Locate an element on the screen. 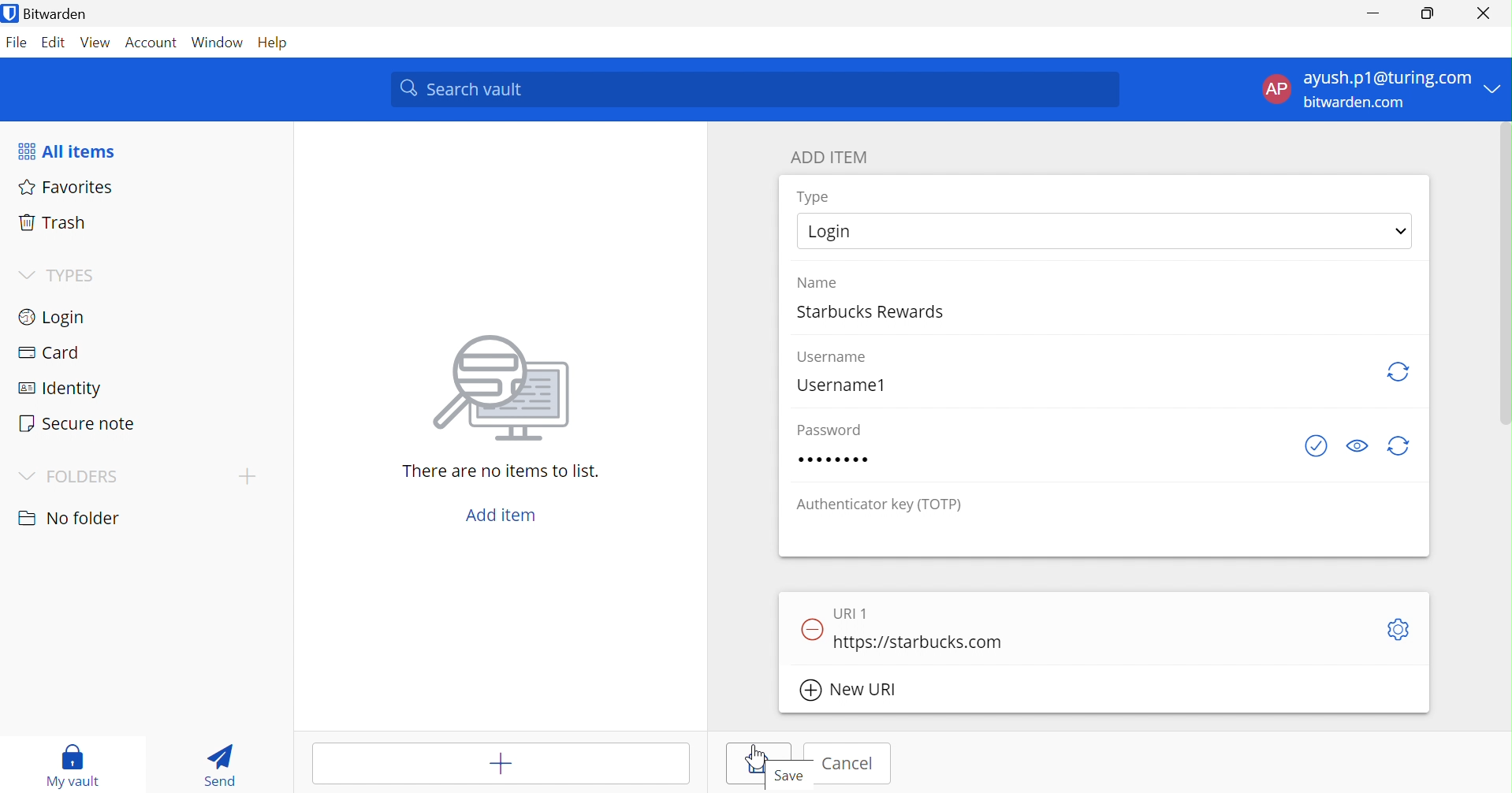  Account is located at coordinates (154, 43).